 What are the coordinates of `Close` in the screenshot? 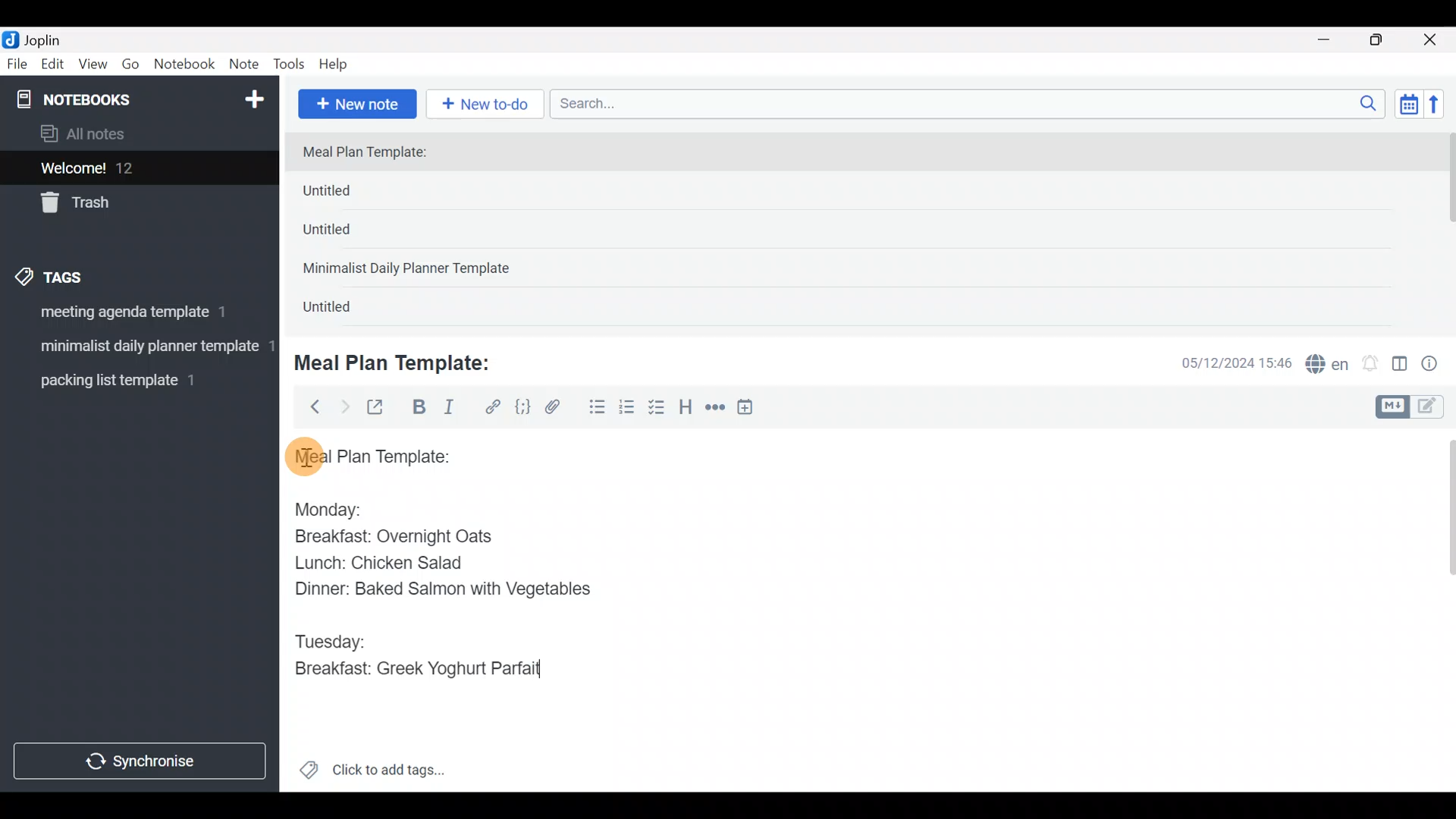 It's located at (1432, 41).